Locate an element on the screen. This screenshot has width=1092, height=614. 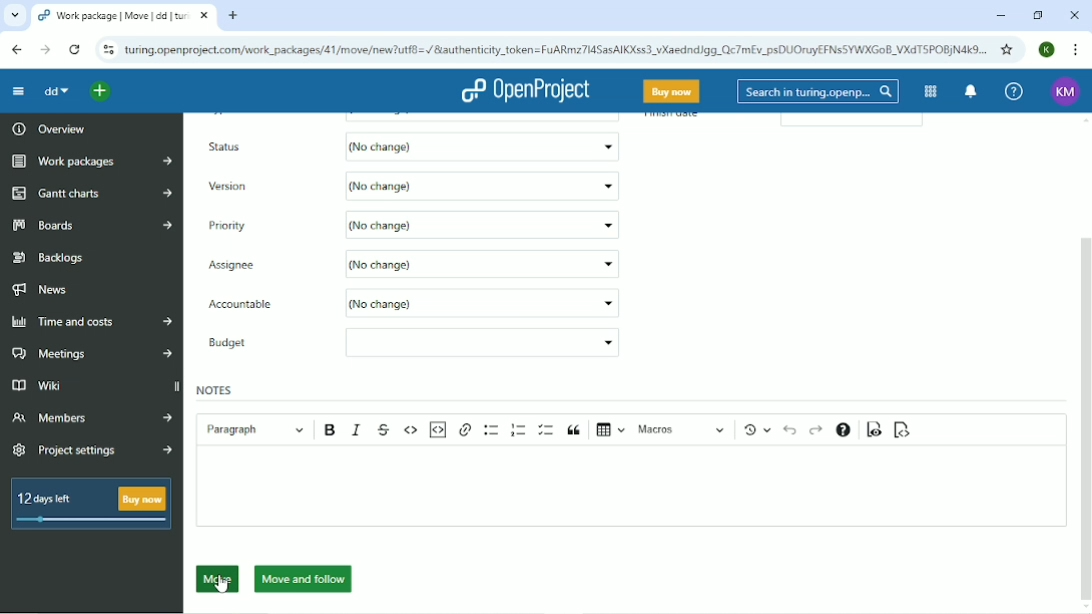
Restore down is located at coordinates (1036, 15).